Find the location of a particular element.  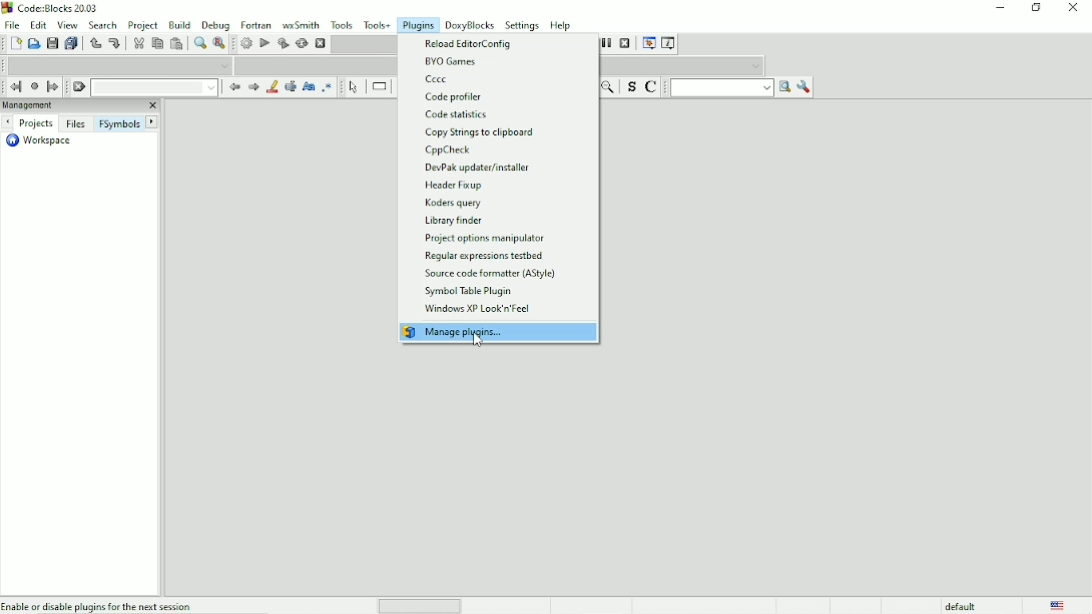

Show options window is located at coordinates (804, 87).